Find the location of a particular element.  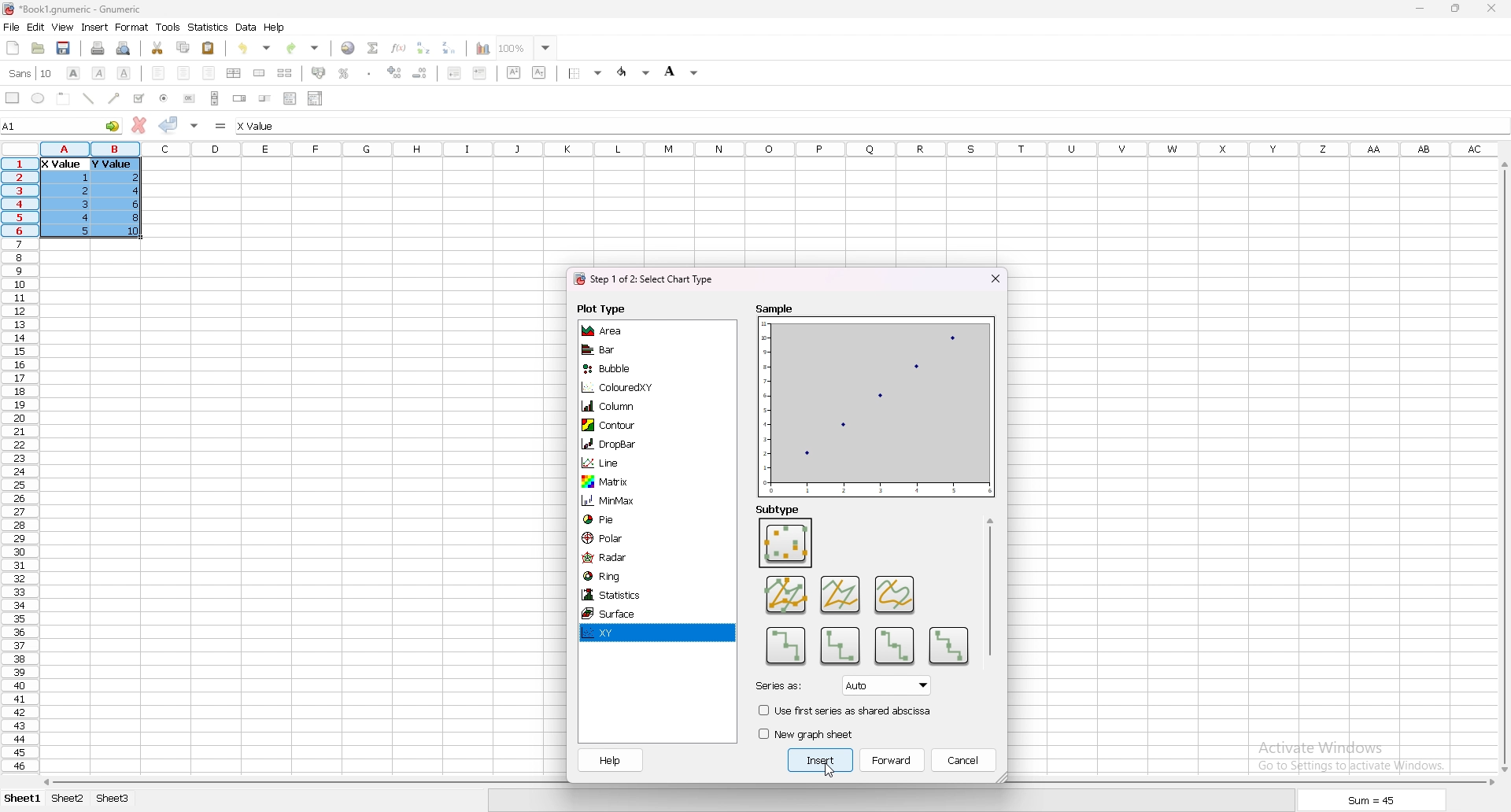

insert is located at coordinates (822, 761).